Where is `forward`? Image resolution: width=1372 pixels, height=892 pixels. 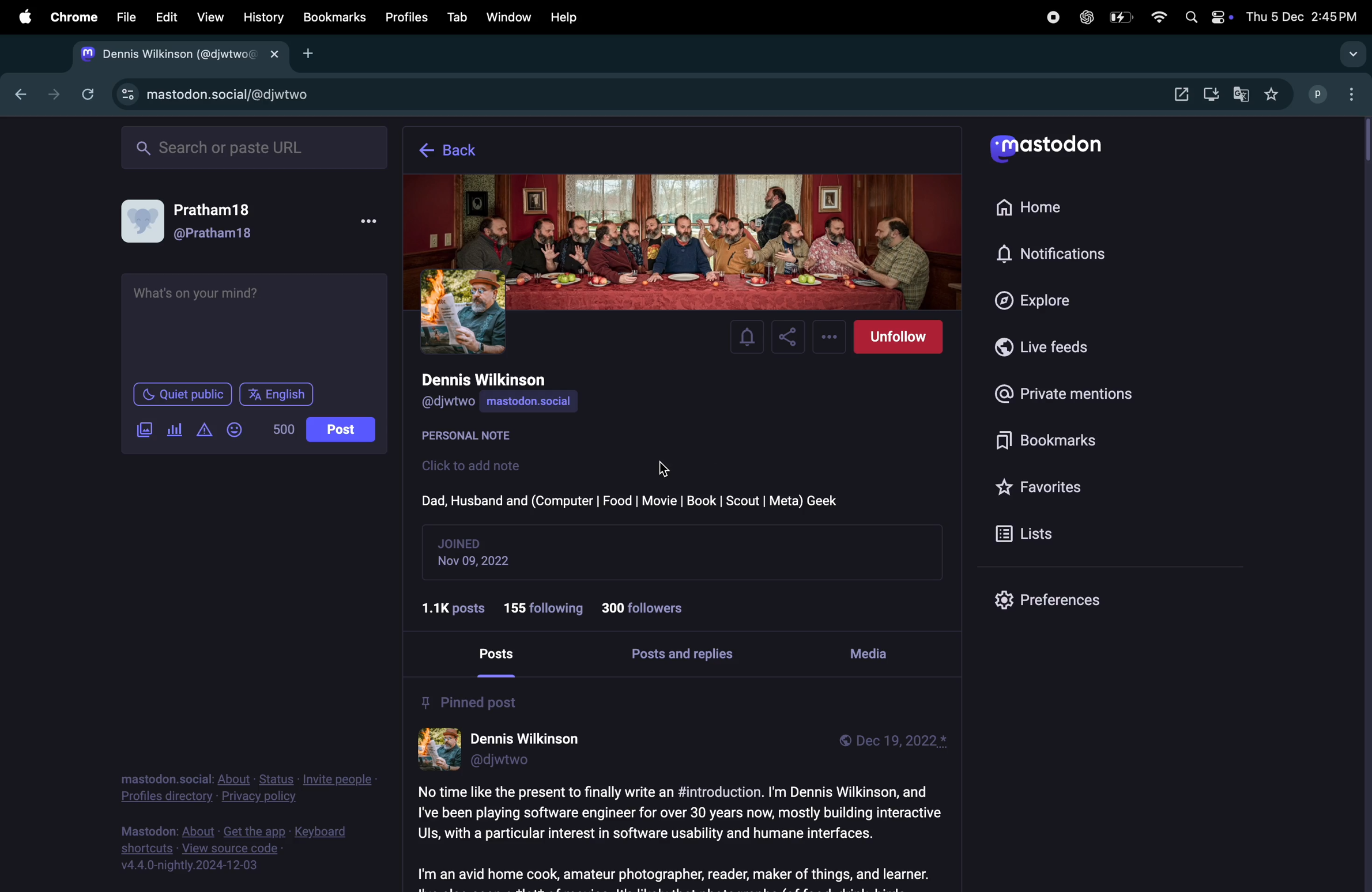 forward is located at coordinates (52, 92).